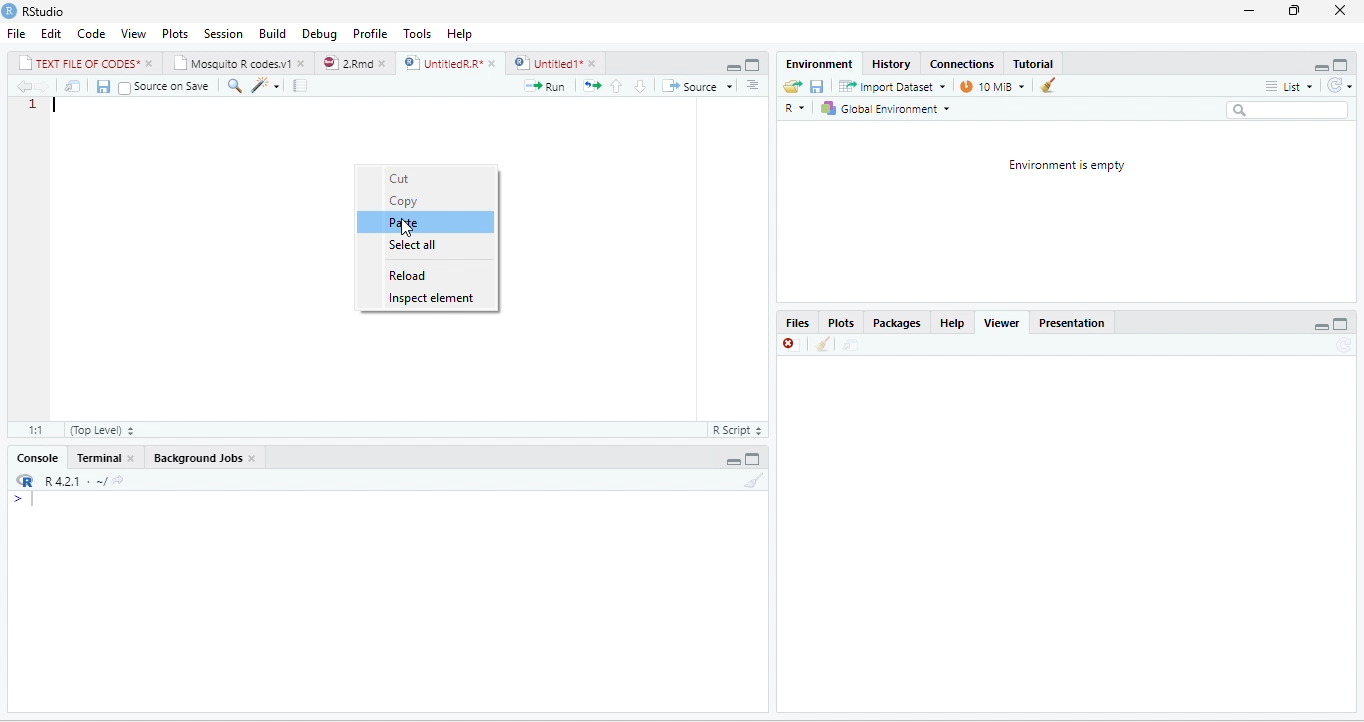  I want to click on close, so click(384, 62).